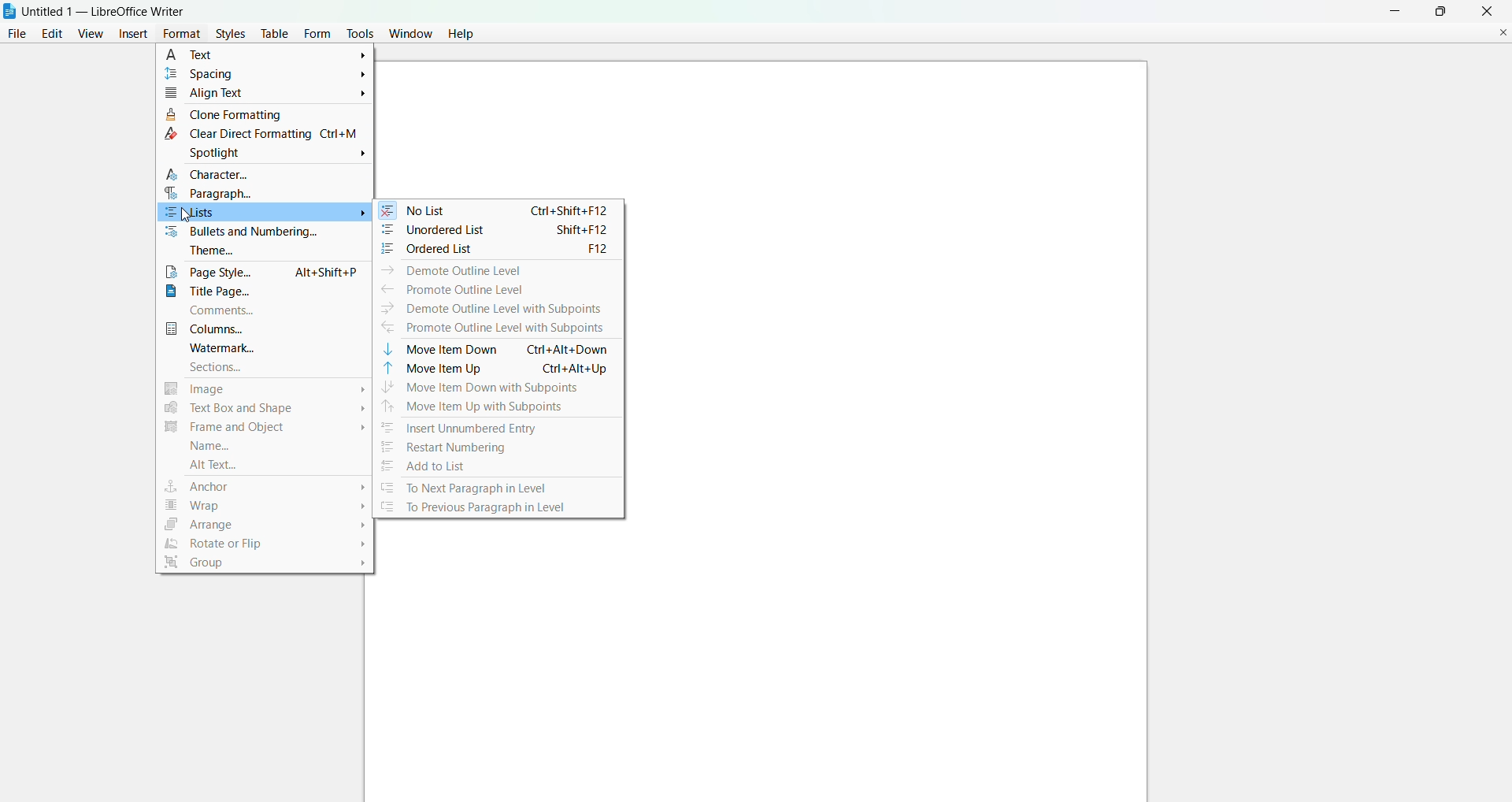  Describe the element at coordinates (261, 136) in the screenshot. I see `clear direct formatting Ctrl + M` at that location.